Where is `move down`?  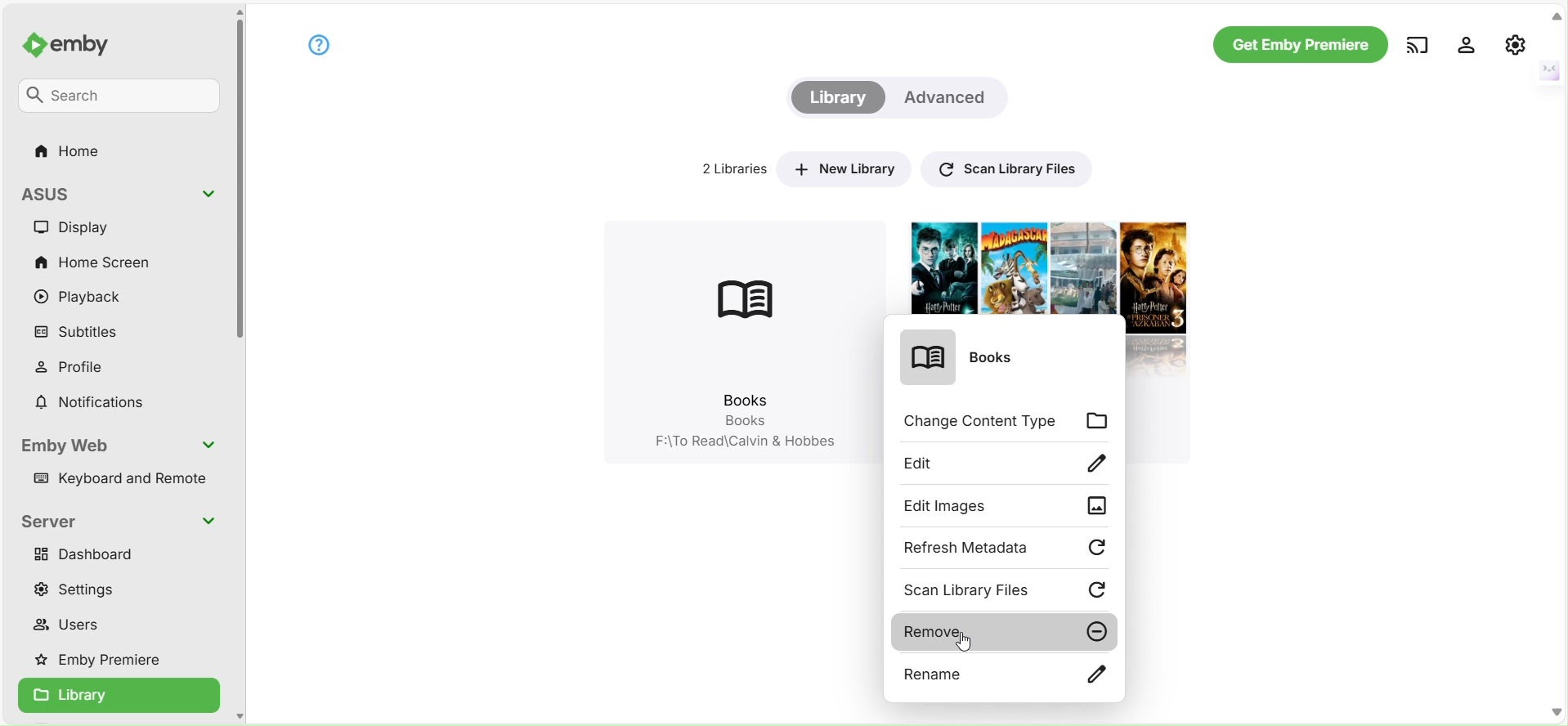 move down is located at coordinates (1557, 711).